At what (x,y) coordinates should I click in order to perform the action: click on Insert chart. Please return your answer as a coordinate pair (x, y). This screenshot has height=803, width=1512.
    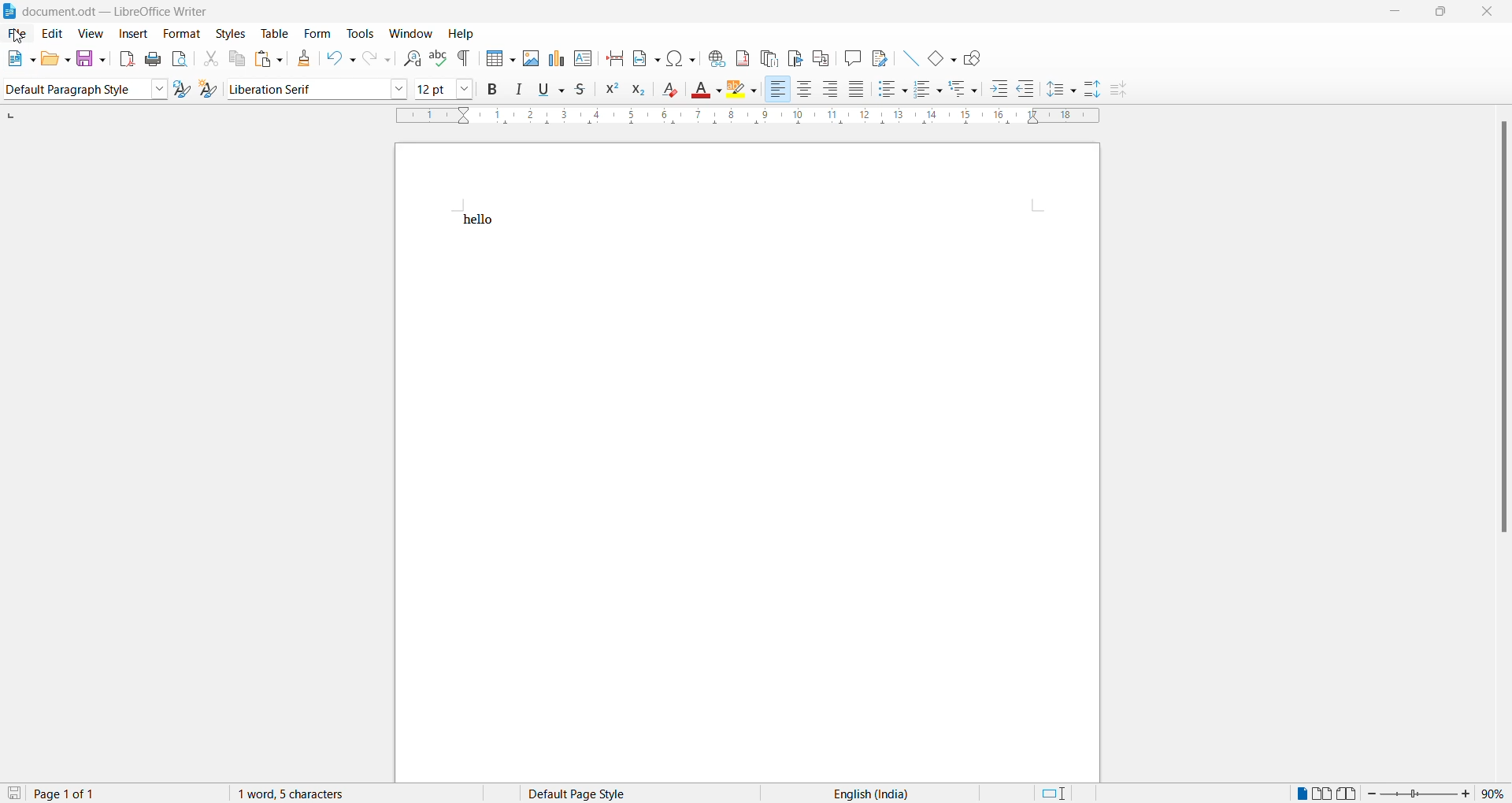
    Looking at the image, I should click on (554, 58).